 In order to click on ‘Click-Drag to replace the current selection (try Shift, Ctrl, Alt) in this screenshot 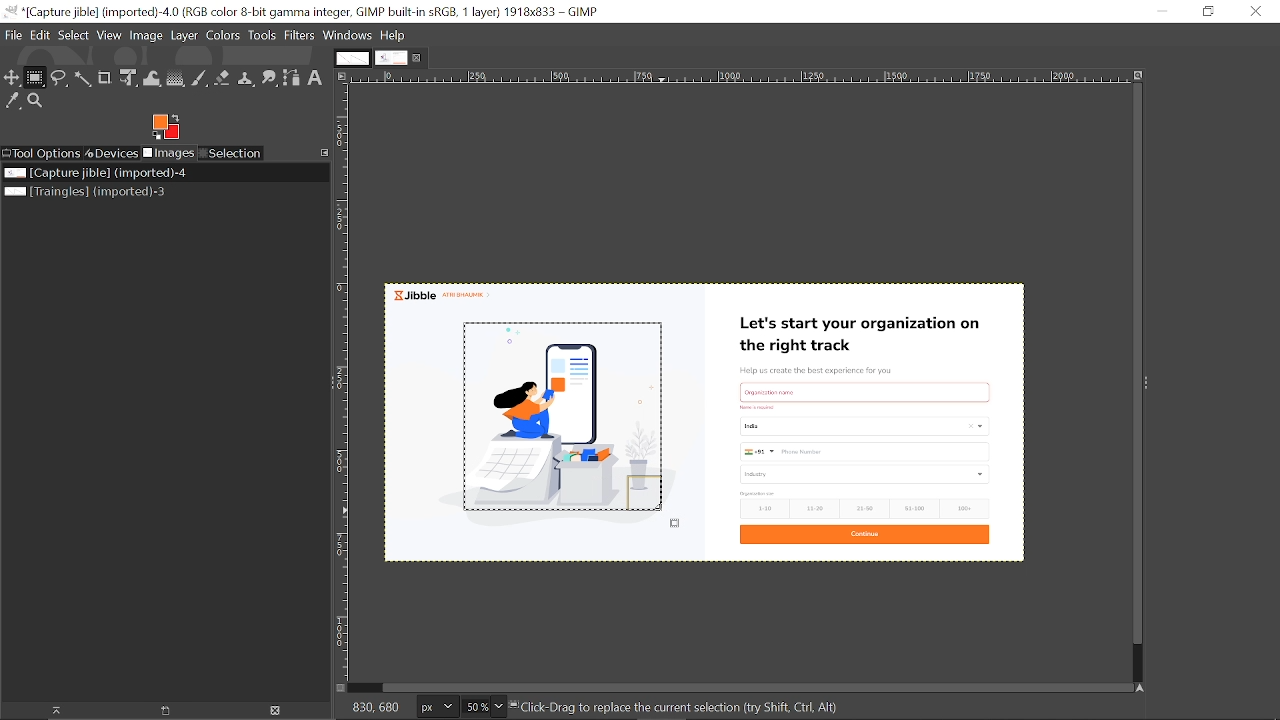, I will do `click(685, 707)`.